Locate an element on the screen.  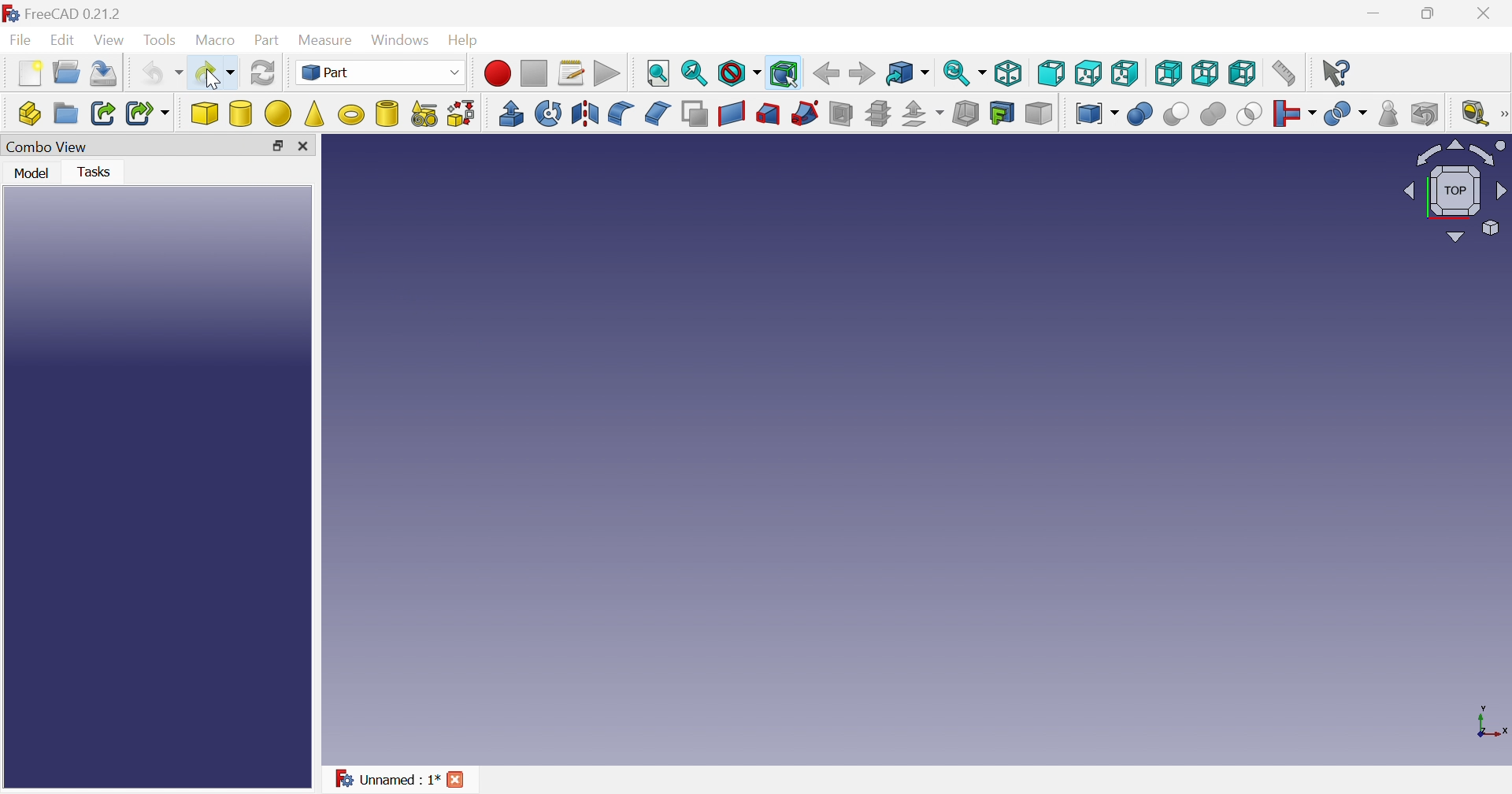
Part is located at coordinates (269, 40).